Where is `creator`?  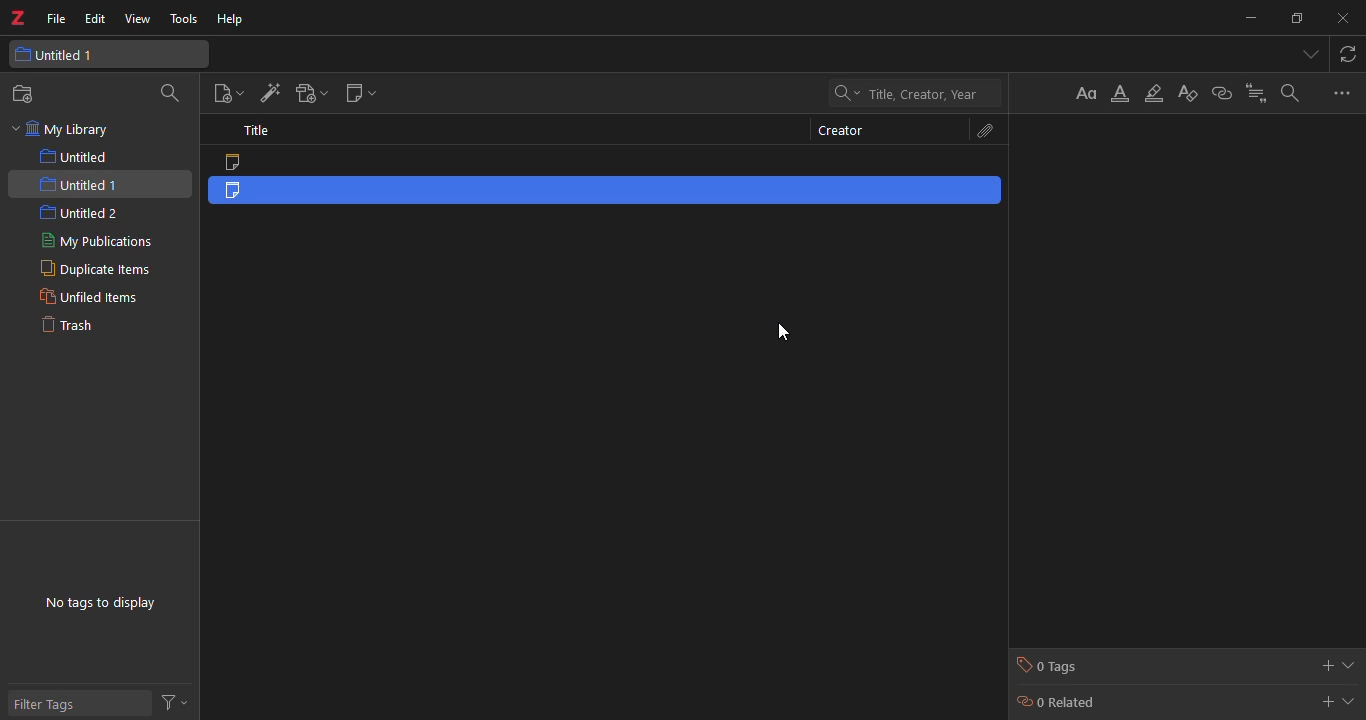
creator is located at coordinates (854, 133).